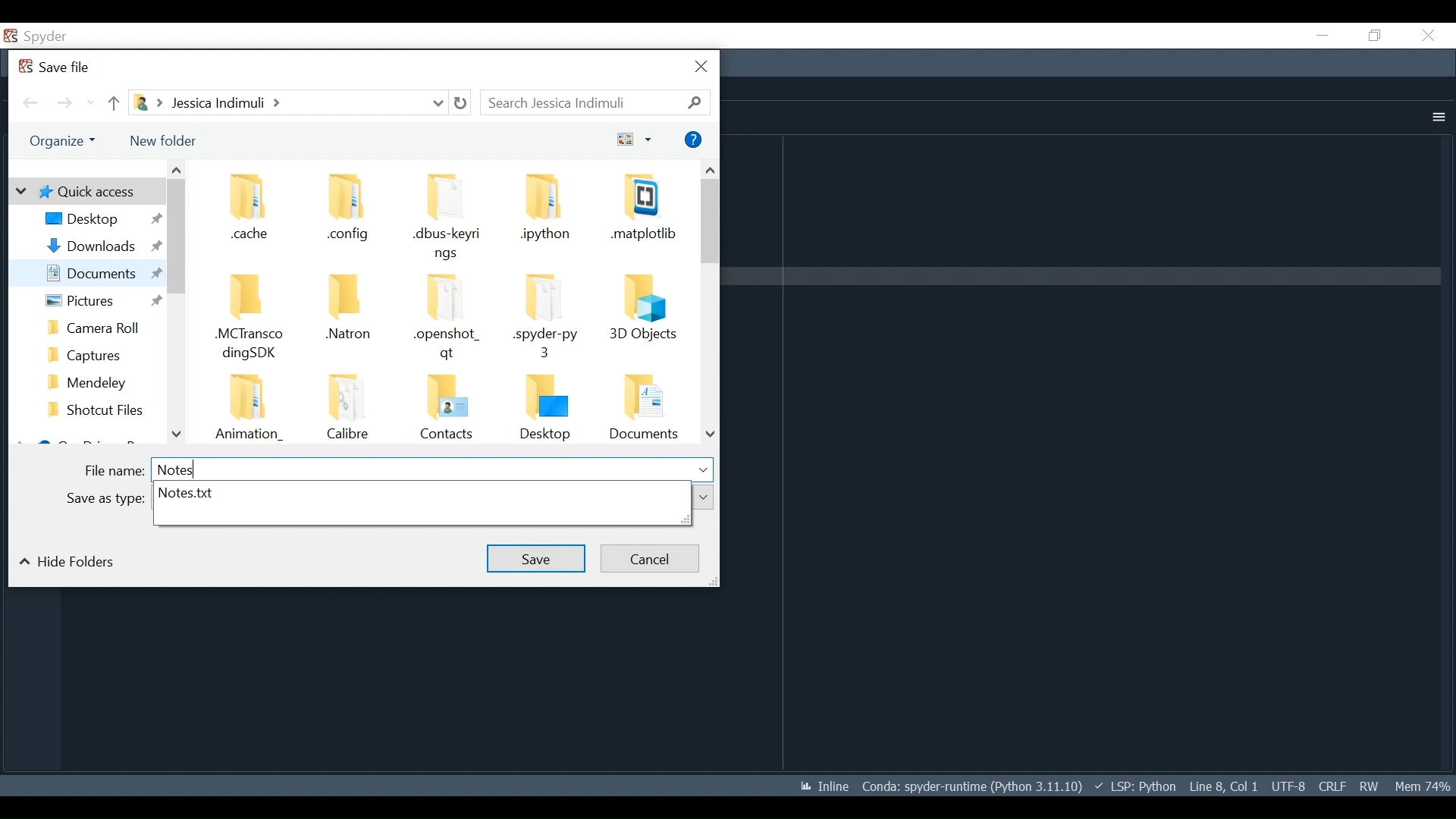 The width and height of the screenshot is (1456, 819). Describe the element at coordinates (1289, 786) in the screenshot. I see `File Encoding` at that location.